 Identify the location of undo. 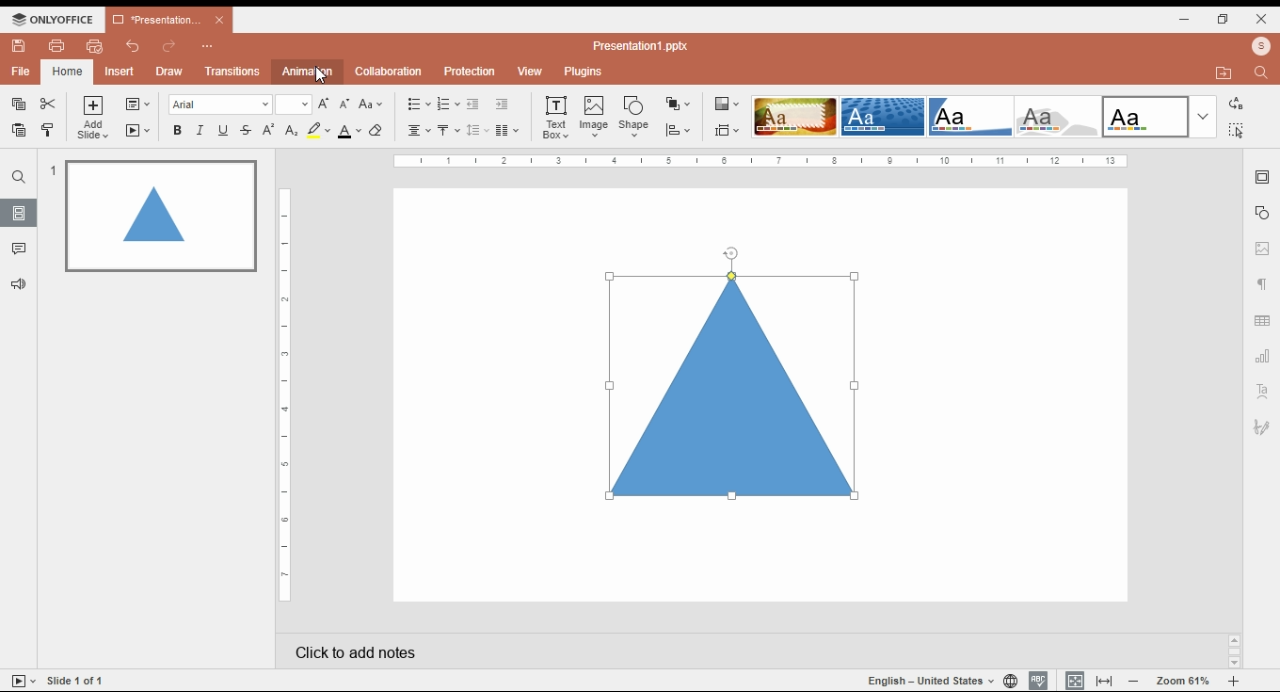
(133, 46).